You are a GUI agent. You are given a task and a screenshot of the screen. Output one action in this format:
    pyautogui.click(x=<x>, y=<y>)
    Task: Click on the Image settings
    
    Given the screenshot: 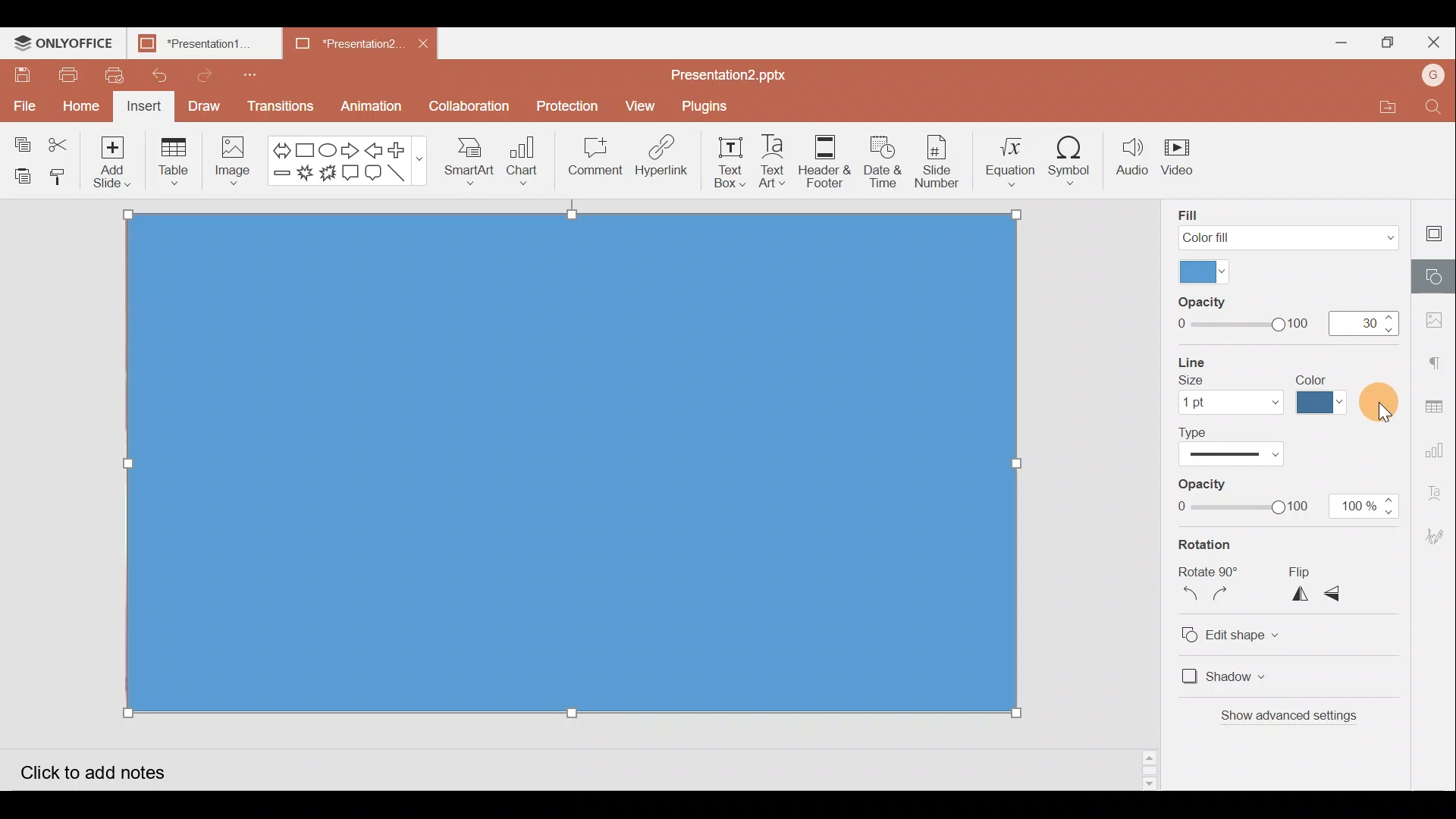 What is the action you would take?
    pyautogui.click(x=1439, y=320)
    